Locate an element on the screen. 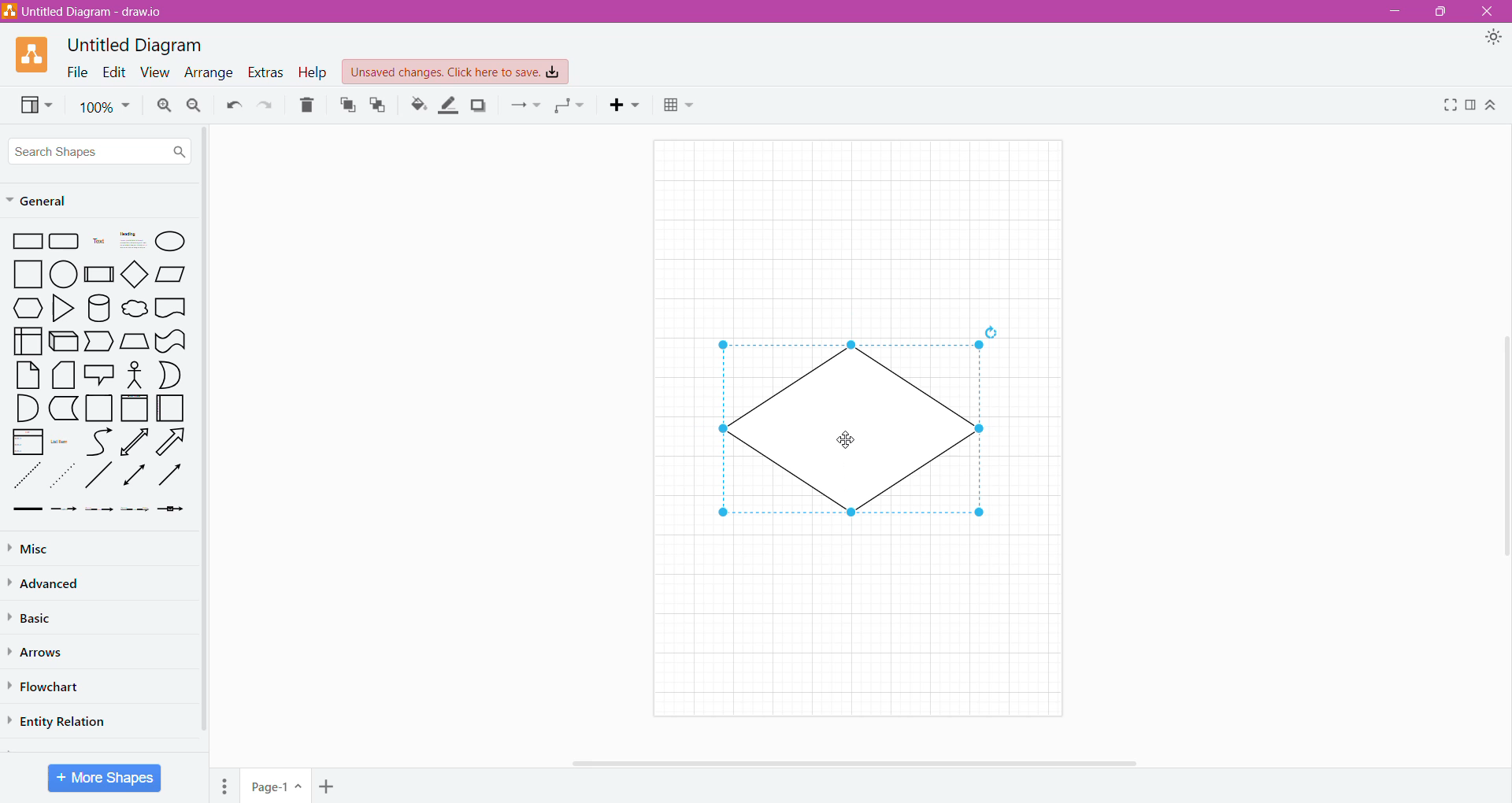 The image size is (1512, 803). Bidirectional Arrow is located at coordinates (135, 442).